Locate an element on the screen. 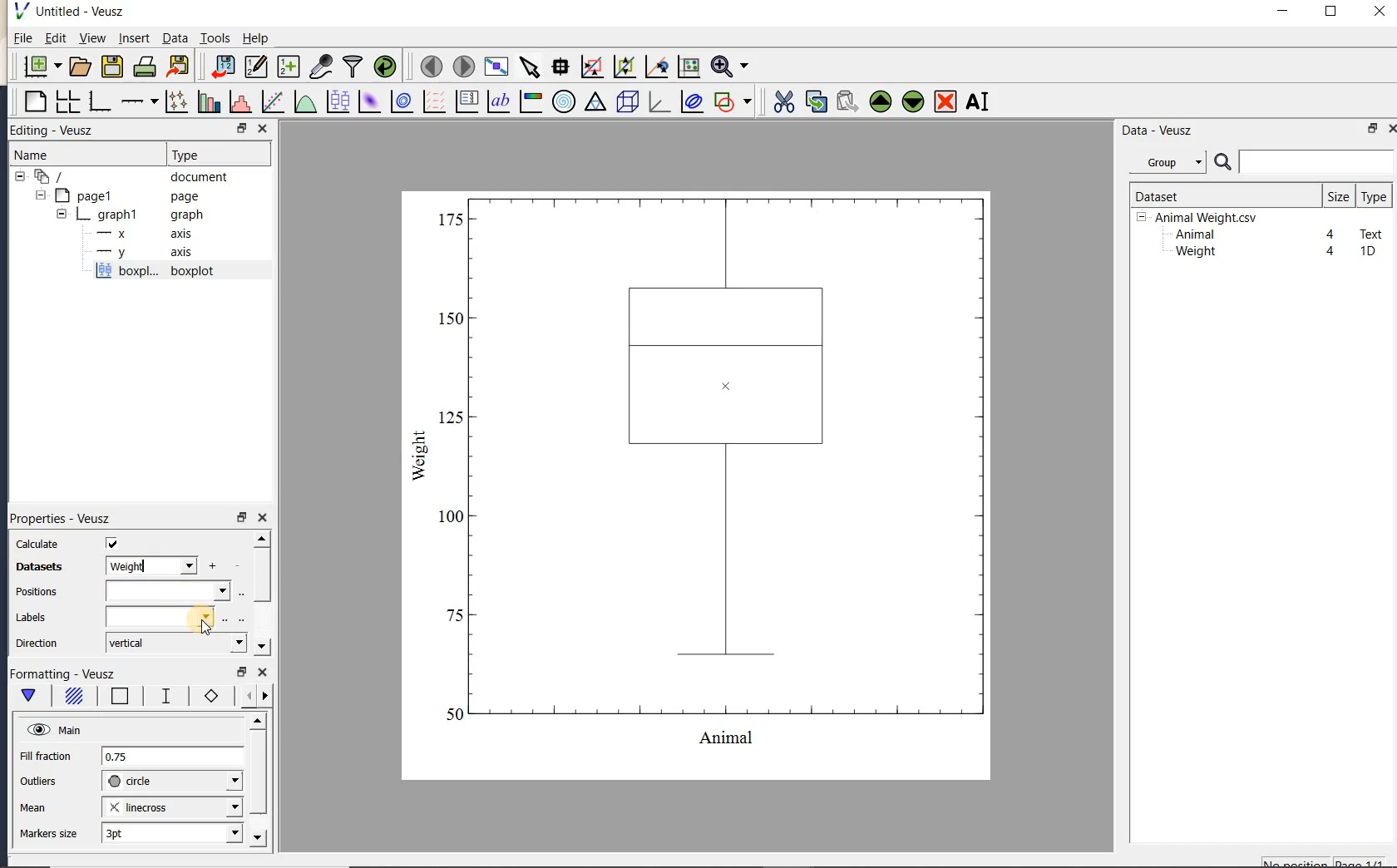  4 is located at coordinates (1331, 235).